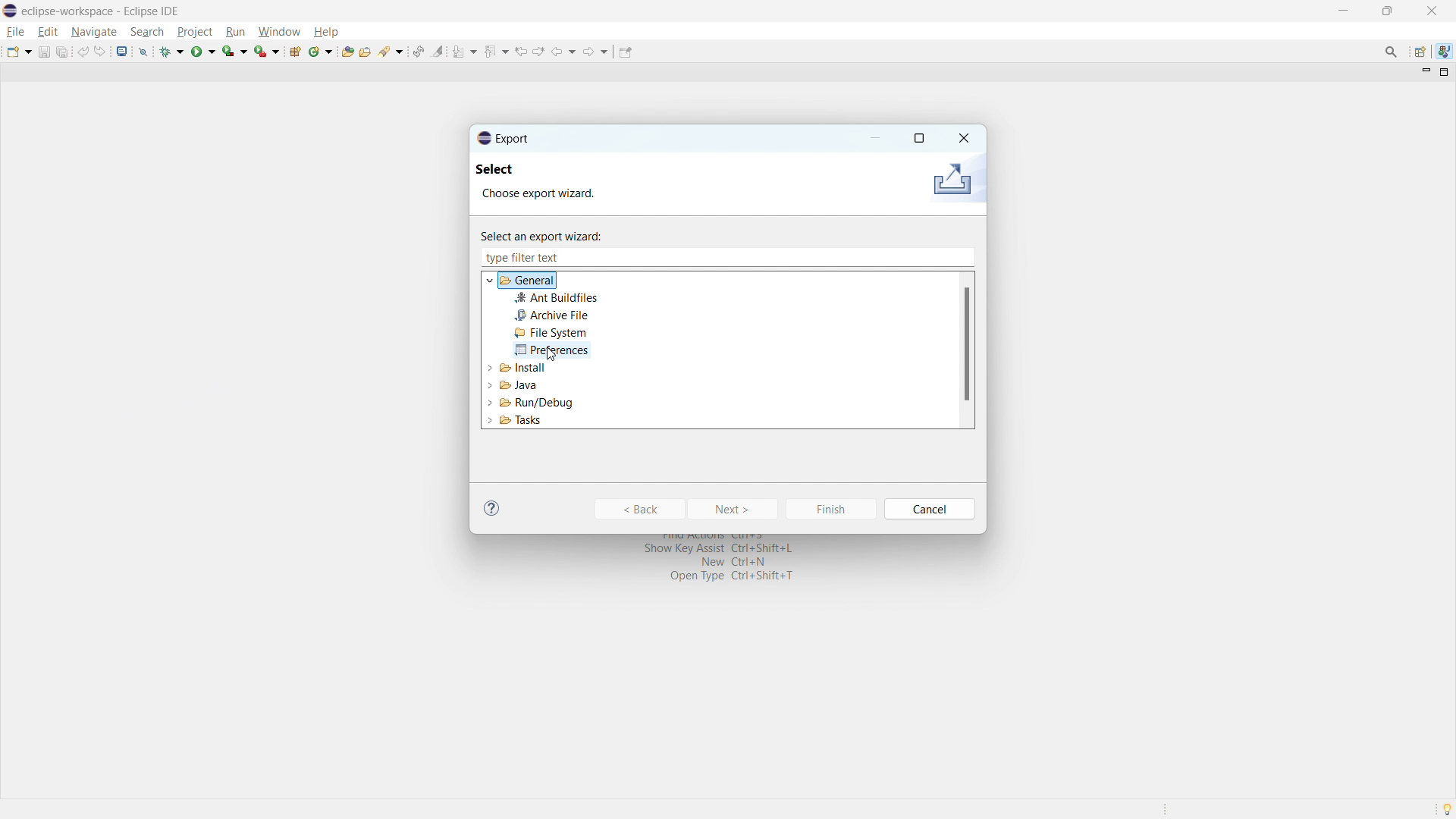 This screenshot has width=1456, height=819. I want to click on run last tool, so click(266, 50).